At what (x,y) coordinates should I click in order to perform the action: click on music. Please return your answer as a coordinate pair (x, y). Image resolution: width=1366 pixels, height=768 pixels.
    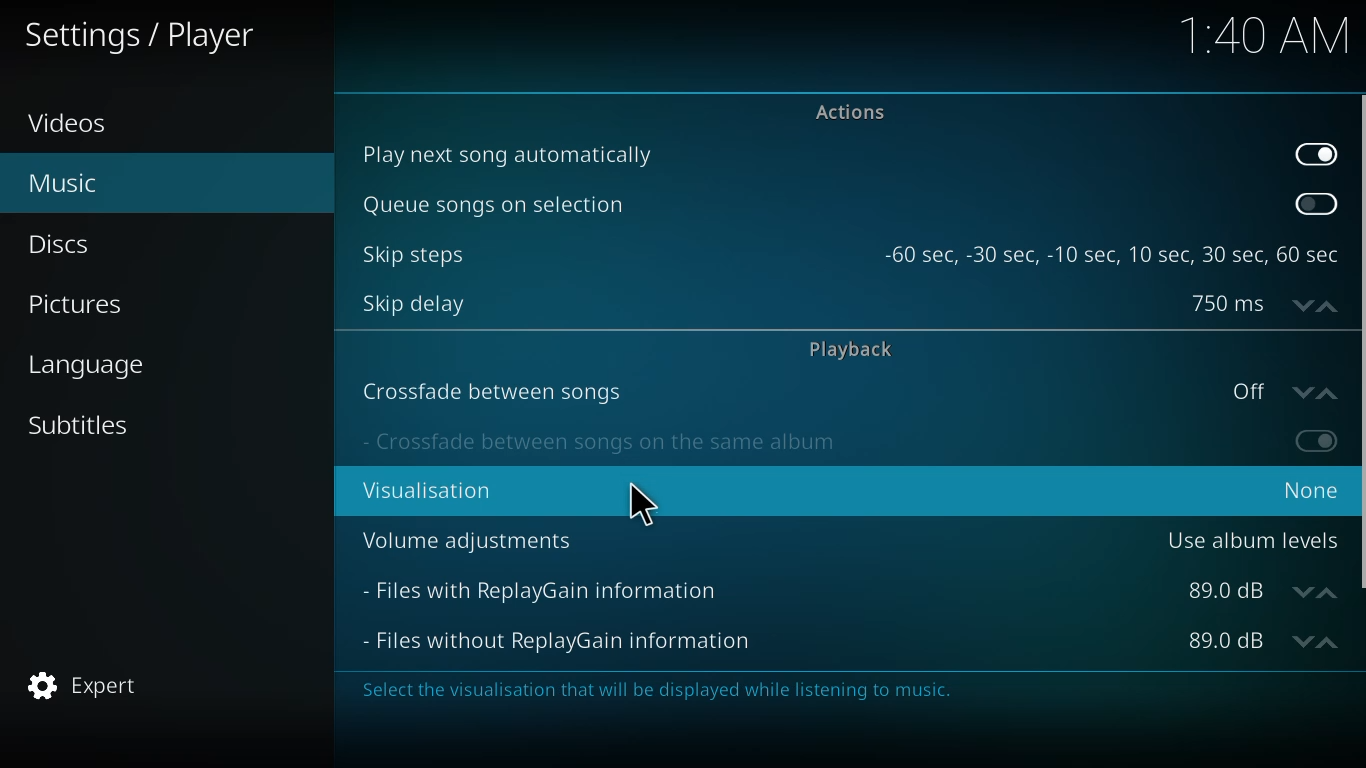
    Looking at the image, I should click on (61, 180).